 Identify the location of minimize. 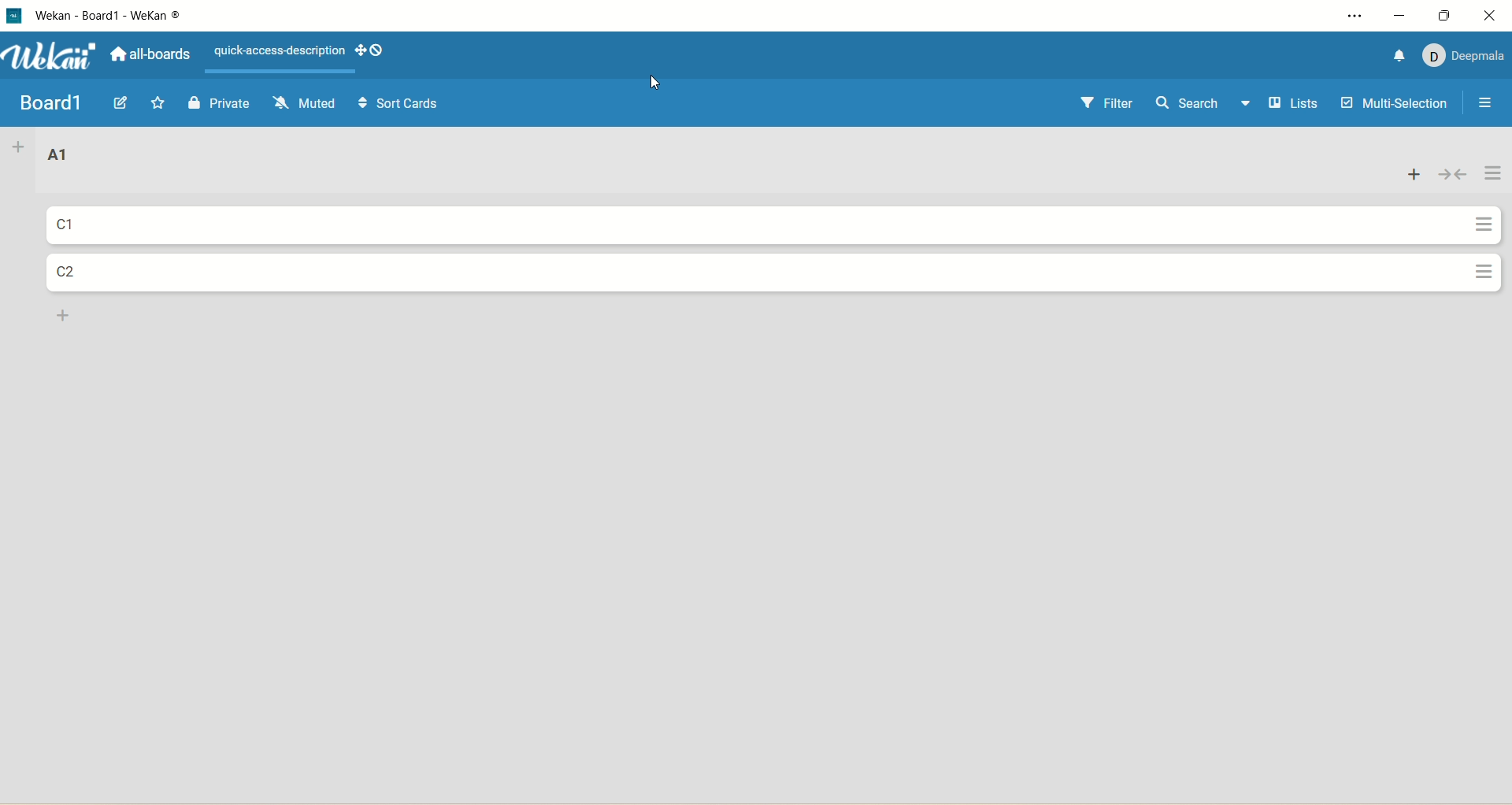
(1403, 16).